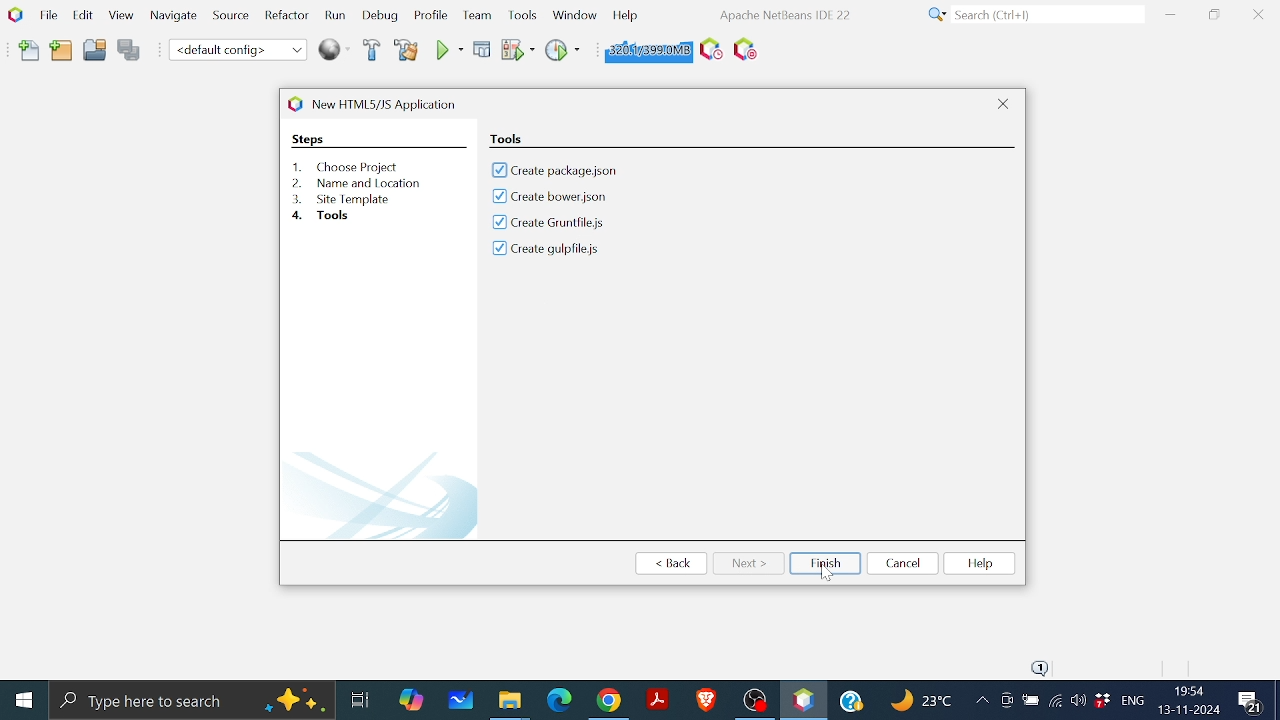 The width and height of the screenshot is (1280, 720). Describe the element at coordinates (238, 49) in the screenshot. I see `Default coding` at that location.